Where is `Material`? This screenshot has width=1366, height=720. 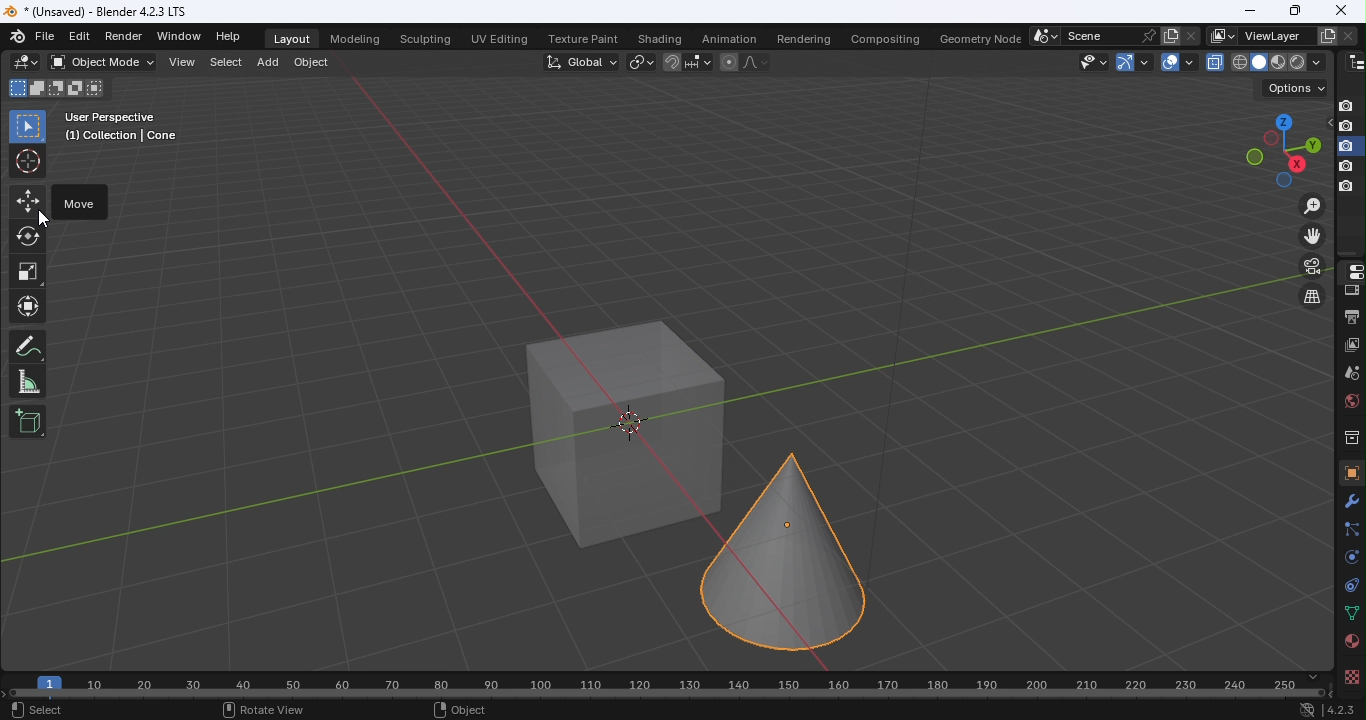
Material is located at coordinates (1350, 642).